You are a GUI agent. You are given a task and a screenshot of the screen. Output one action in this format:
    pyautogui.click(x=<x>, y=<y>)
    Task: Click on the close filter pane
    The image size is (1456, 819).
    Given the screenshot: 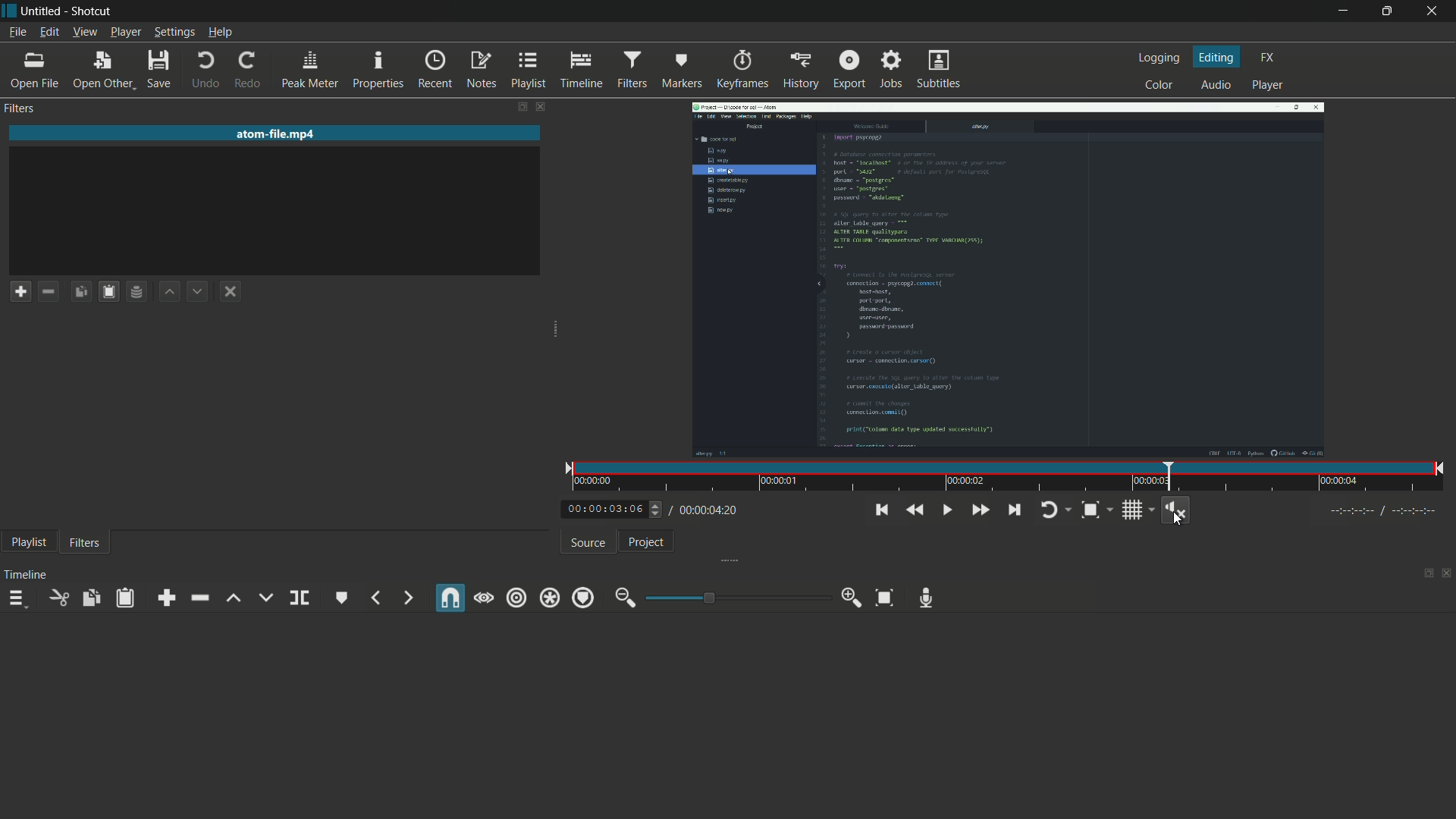 What is the action you would take?
    pyautogui.click(x=540, y=108)
    